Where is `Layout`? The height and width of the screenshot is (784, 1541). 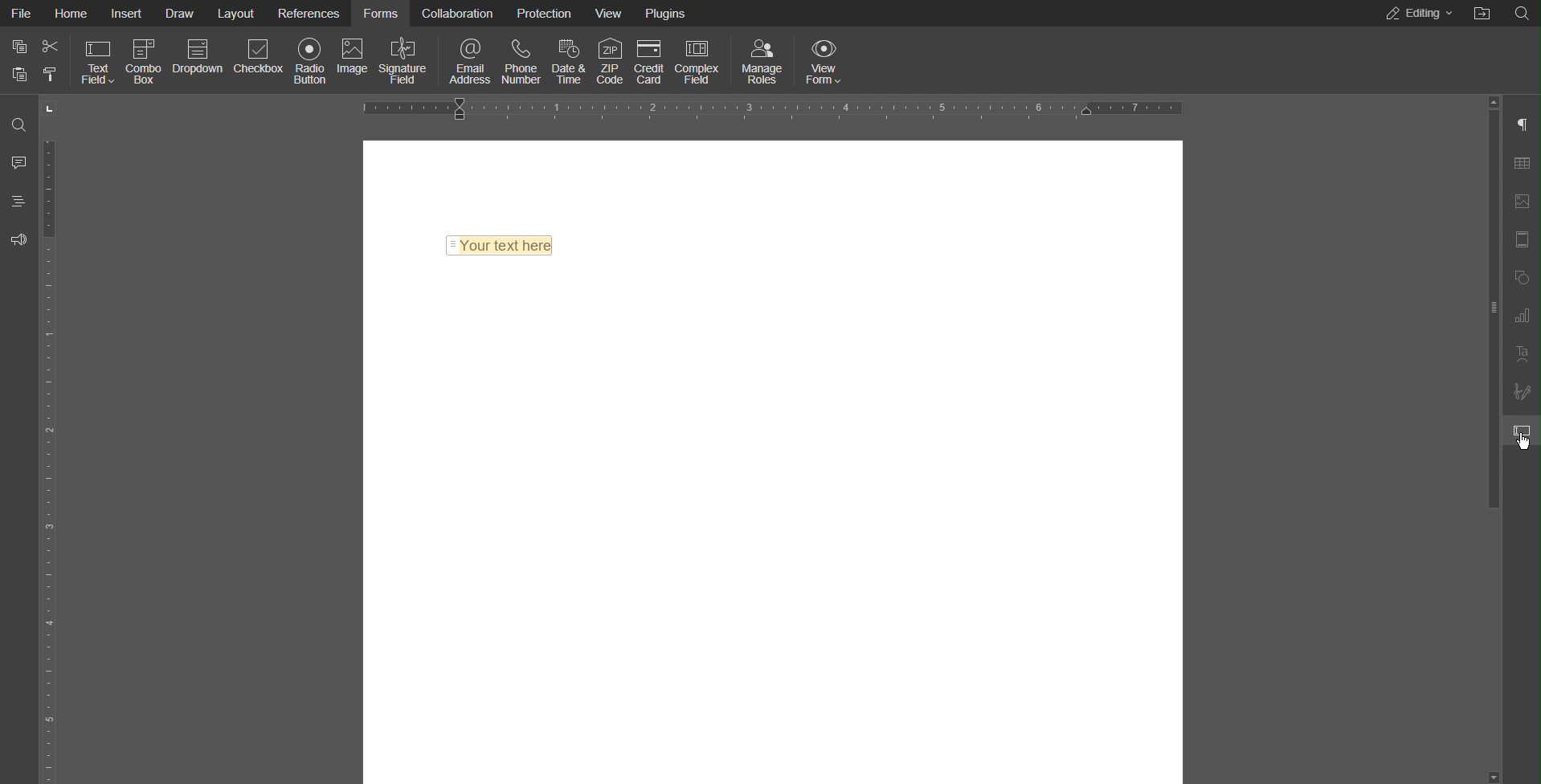 Layout is located at coordinates (238, 13).